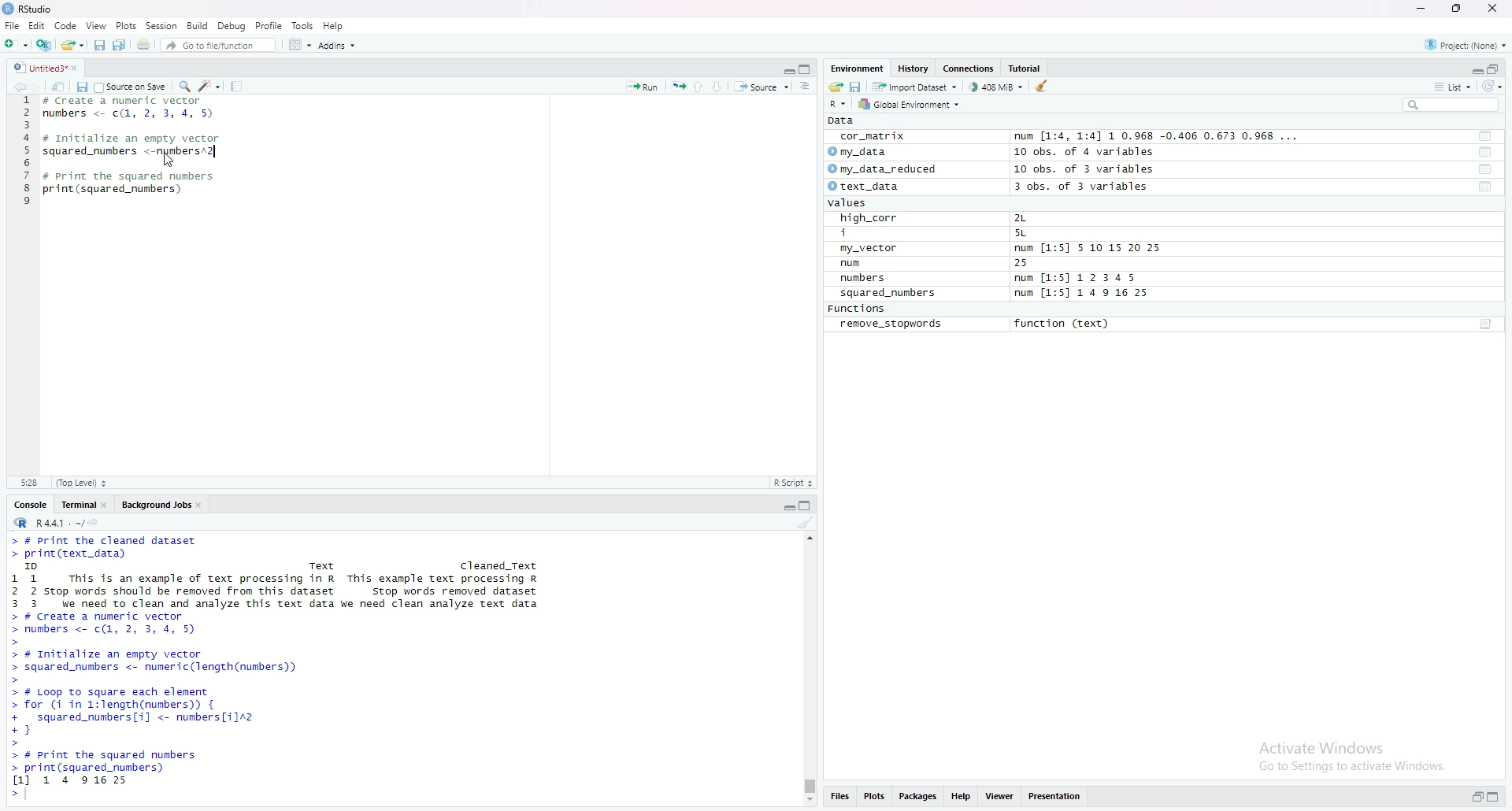 The height and width of the screenshot is (811, 1512). What do you see at coordinates (871, 137) in the screenshot?
I see `cor_matrix` at bounding box center [871, 137].